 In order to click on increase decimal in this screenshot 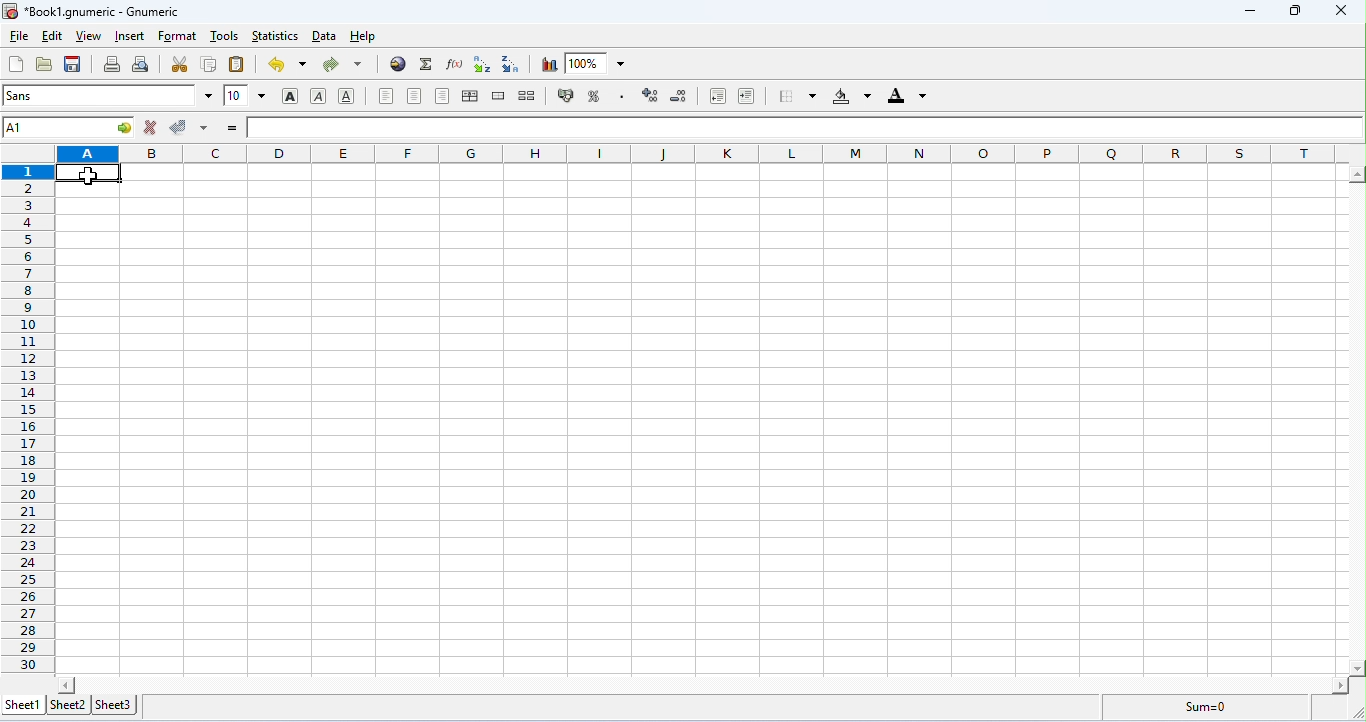, I will do `click(652, 93)`.